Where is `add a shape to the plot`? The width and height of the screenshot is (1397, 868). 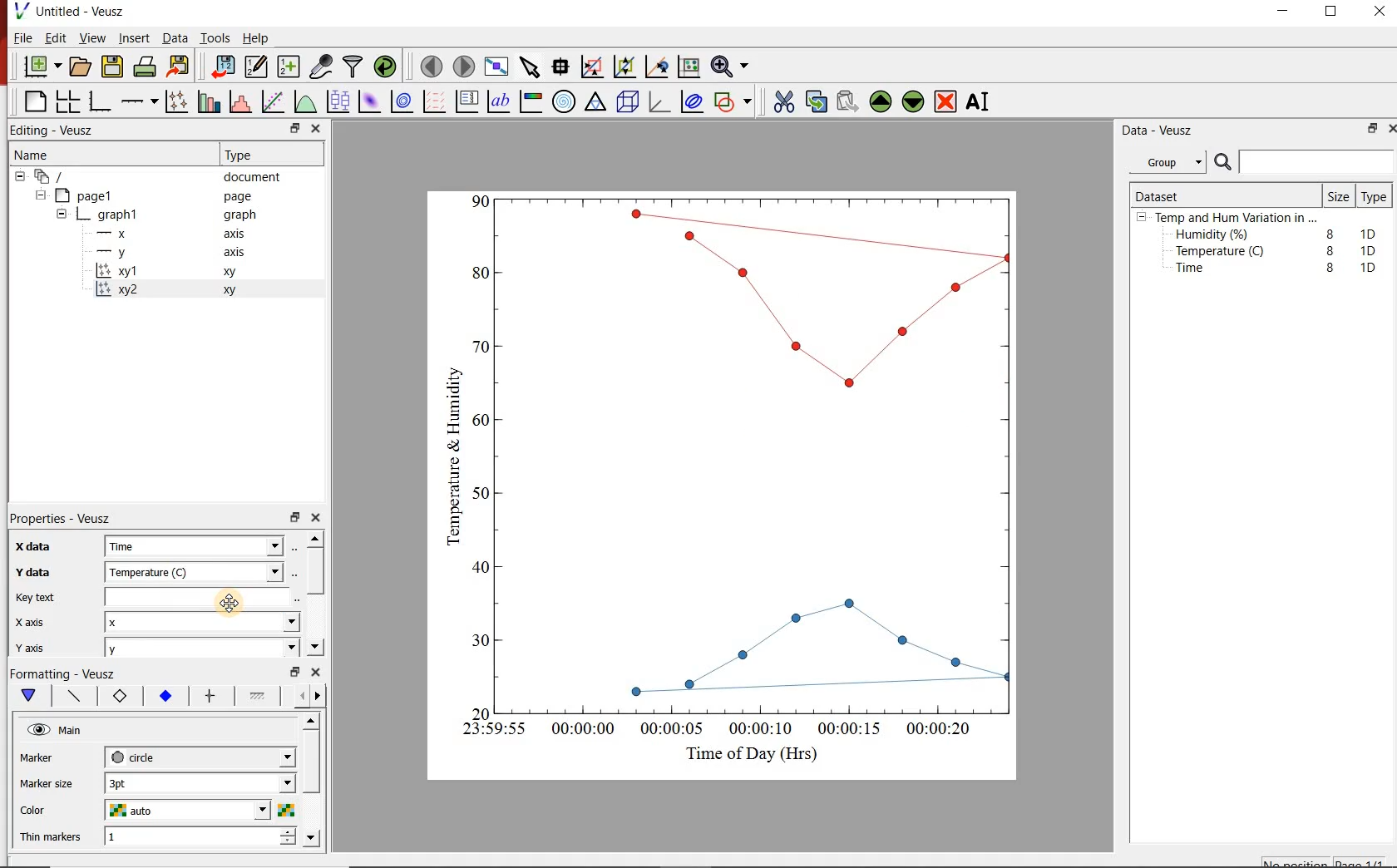
add a shape to the plot is located at coordinates (737, 104).